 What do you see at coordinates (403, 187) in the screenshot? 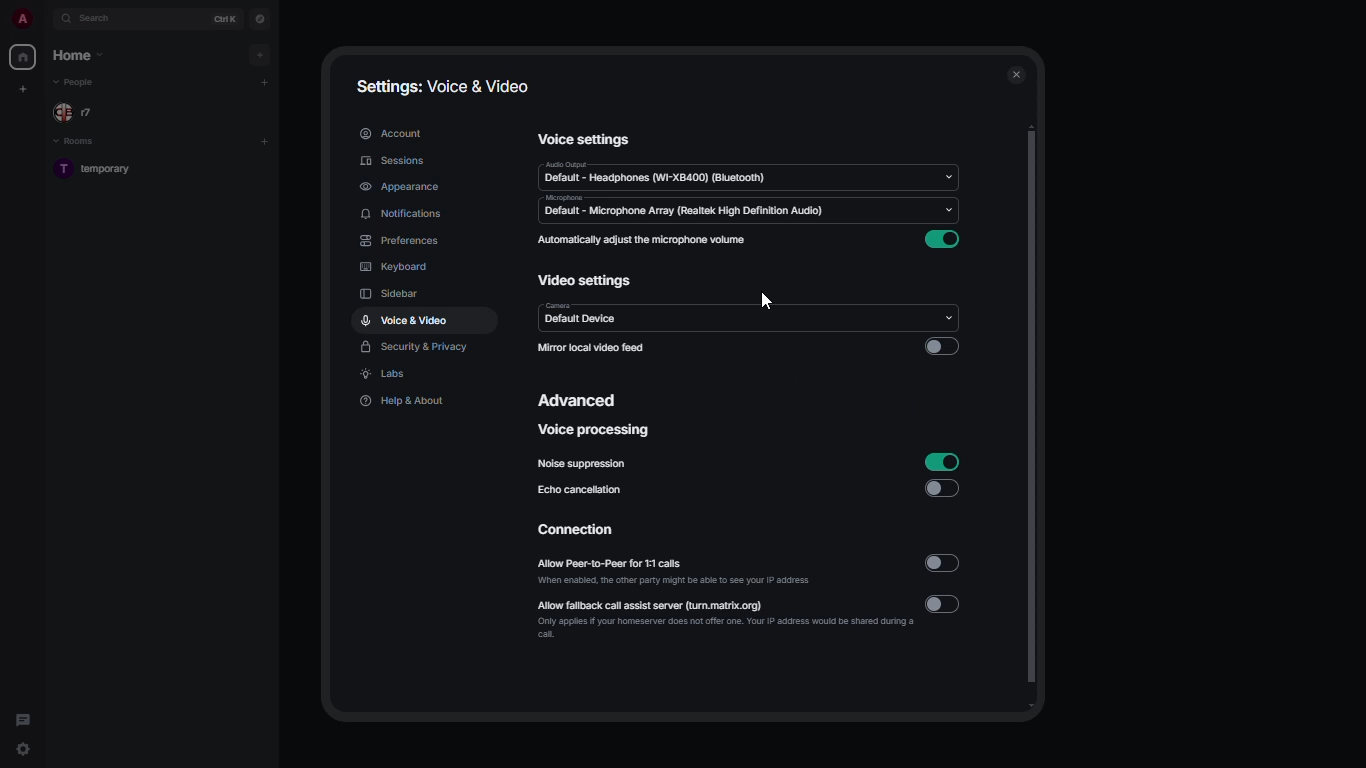
I see `appearance` at bounding box center [403, 187].